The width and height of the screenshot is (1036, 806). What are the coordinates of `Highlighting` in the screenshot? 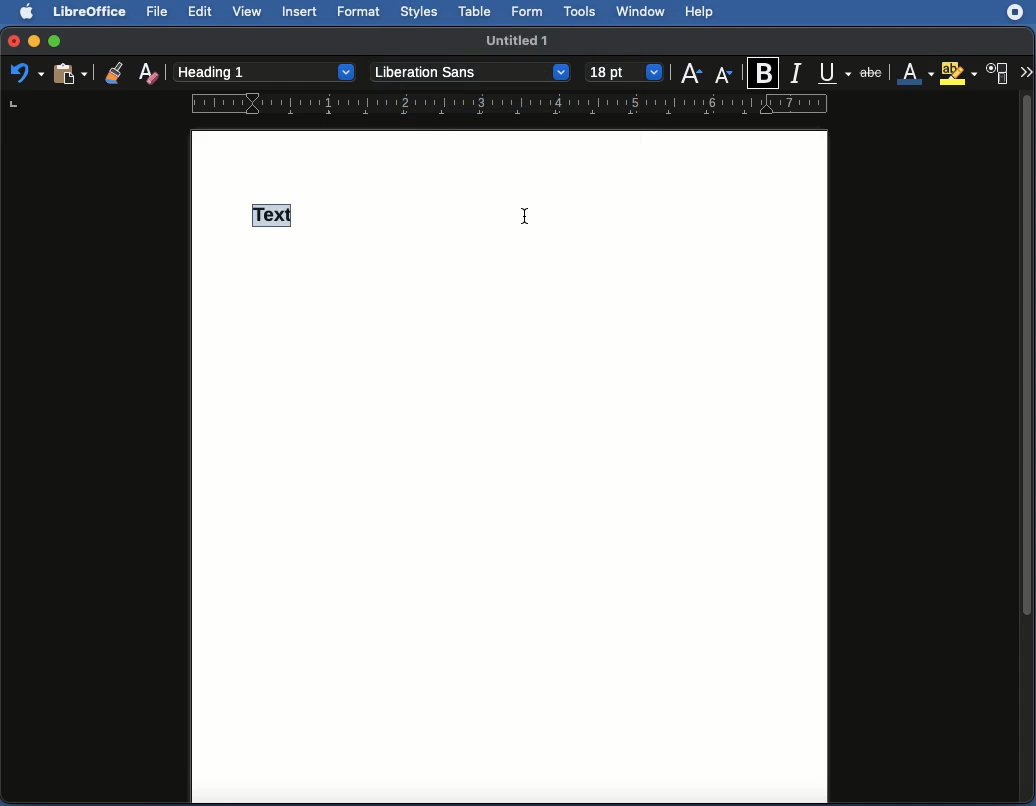 It's located at (958, 73).